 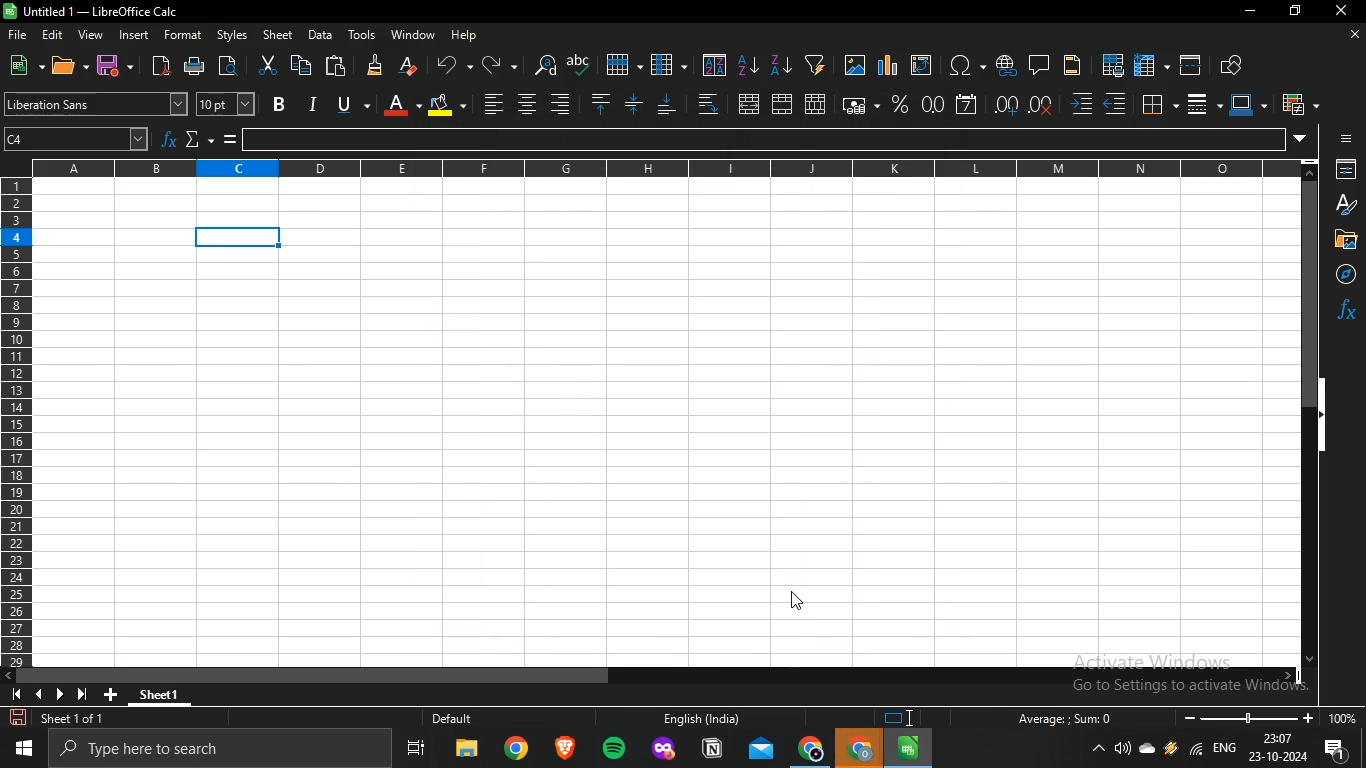 What do you see at coordinates (560, 102) in the screenshot?
I see `align left` at bounding box center [560, 102].